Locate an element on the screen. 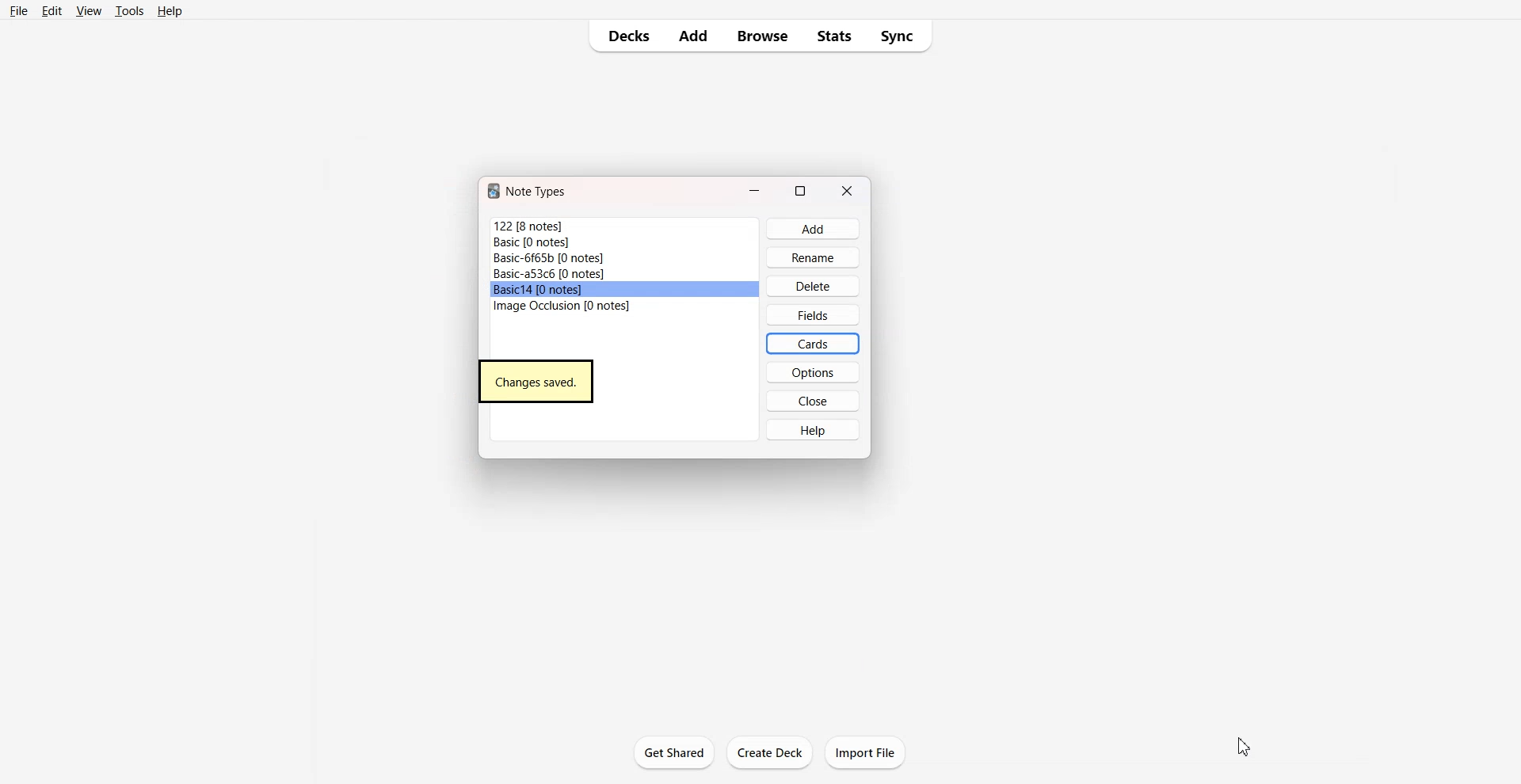 This screenshot has width=1521, height=784. Cards is located at coordinates (813, 343).